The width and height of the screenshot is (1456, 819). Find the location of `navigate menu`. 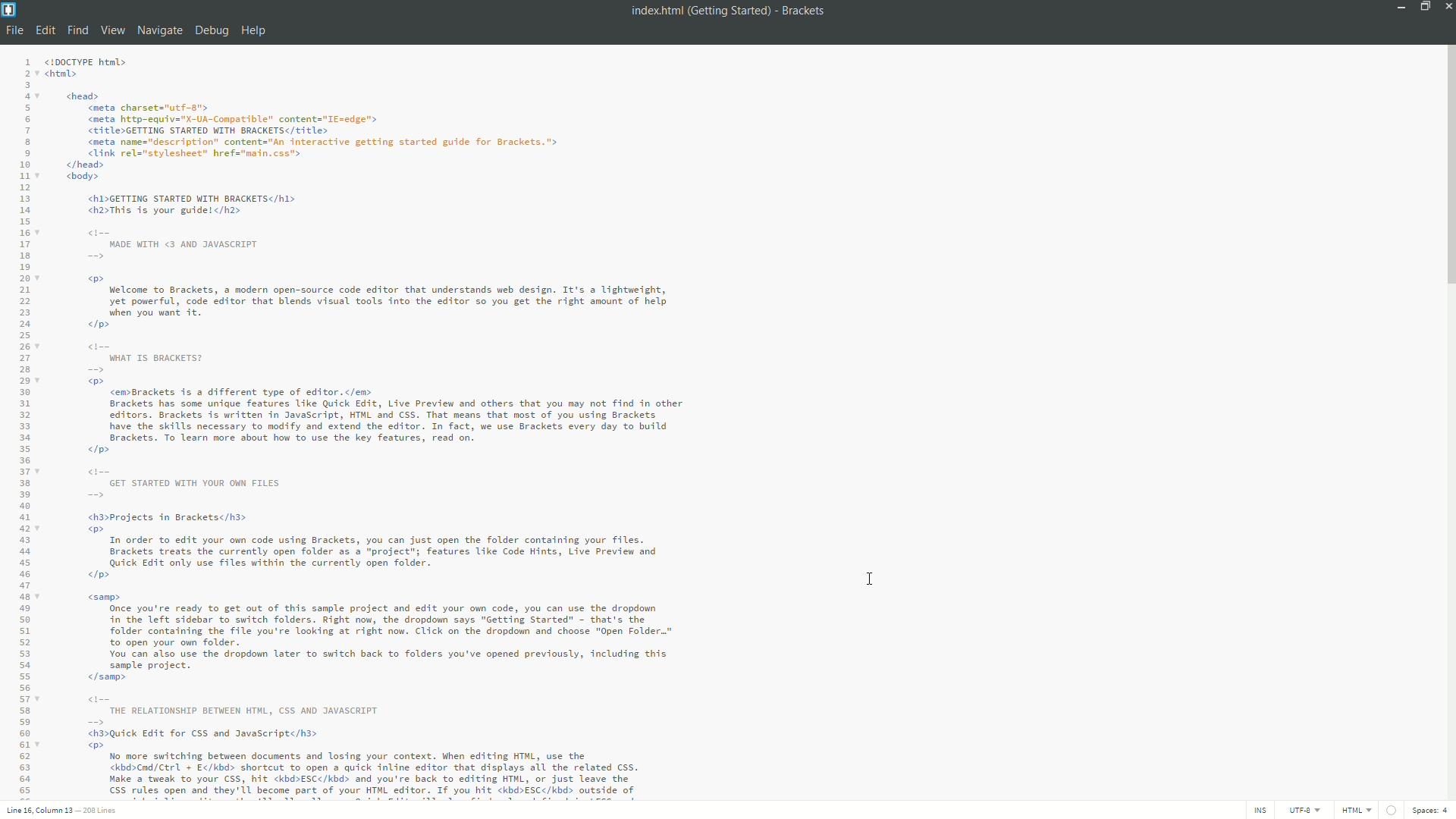

navigate menu is located at coordinates (158, 30).